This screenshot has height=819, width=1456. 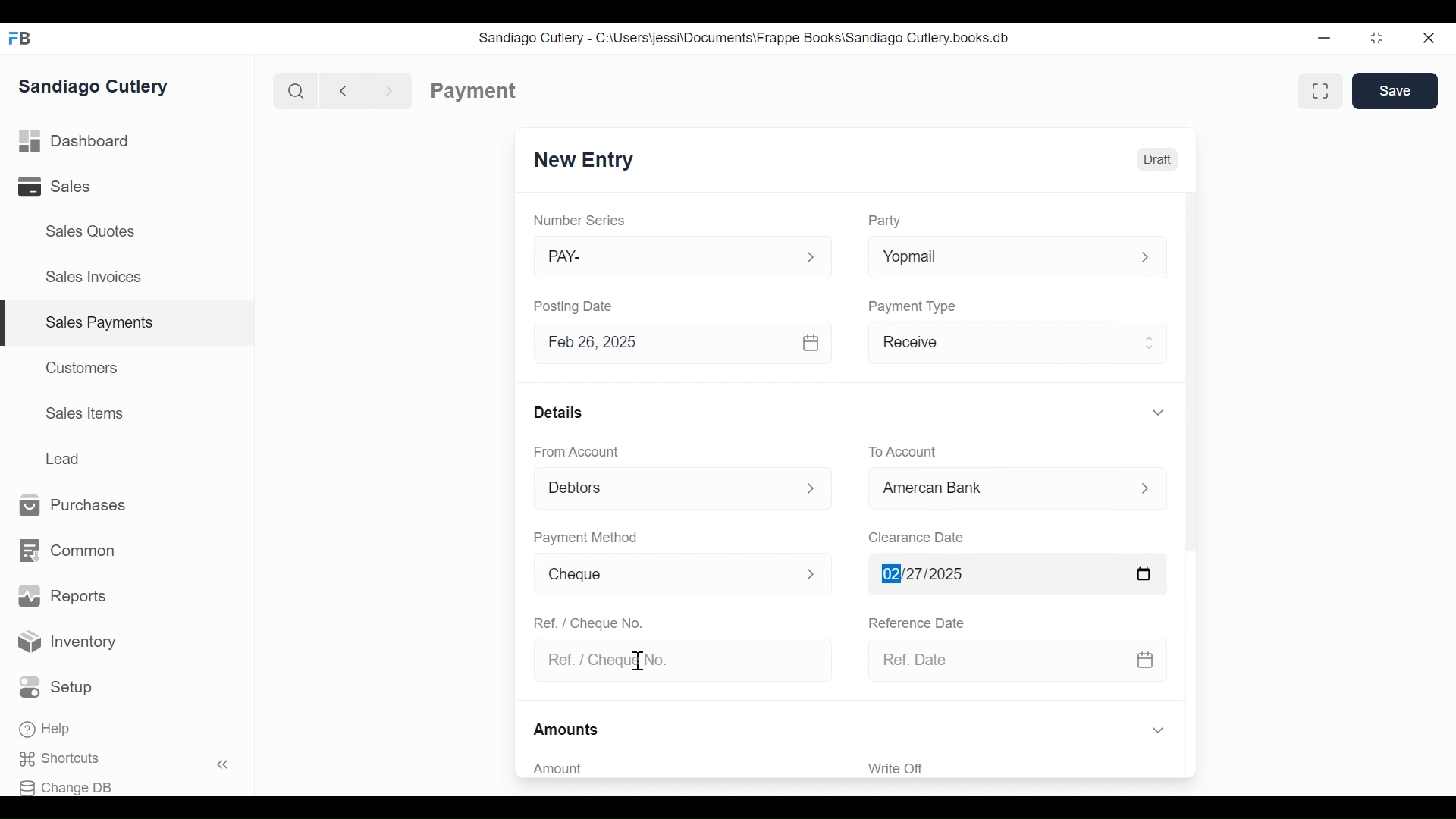 I want to click on Navigate Back, so click(x=340, y=90).